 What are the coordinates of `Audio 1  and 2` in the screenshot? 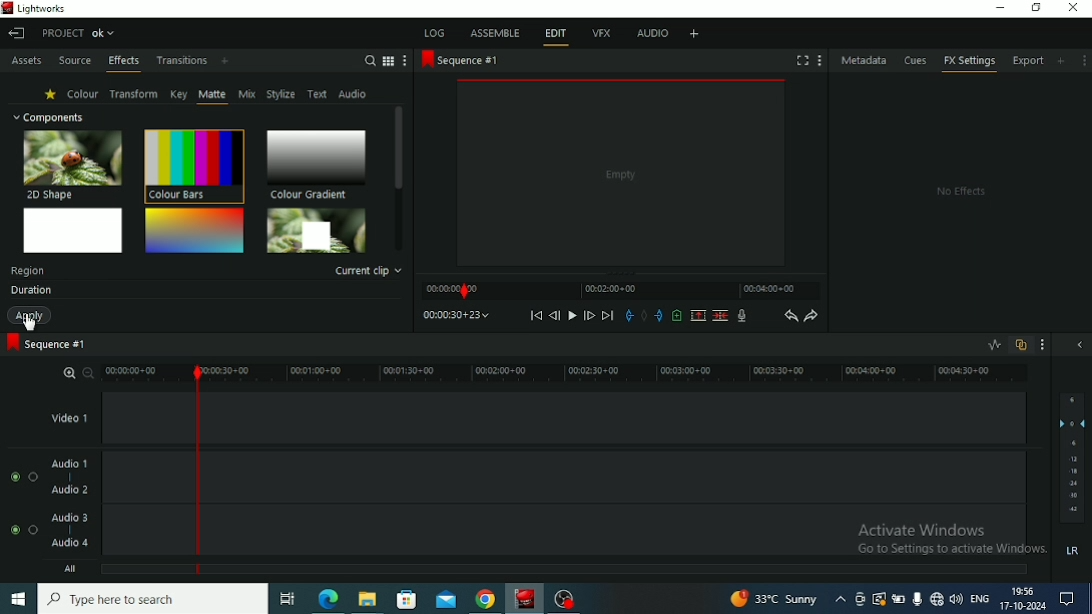 It's located at (89, 477).